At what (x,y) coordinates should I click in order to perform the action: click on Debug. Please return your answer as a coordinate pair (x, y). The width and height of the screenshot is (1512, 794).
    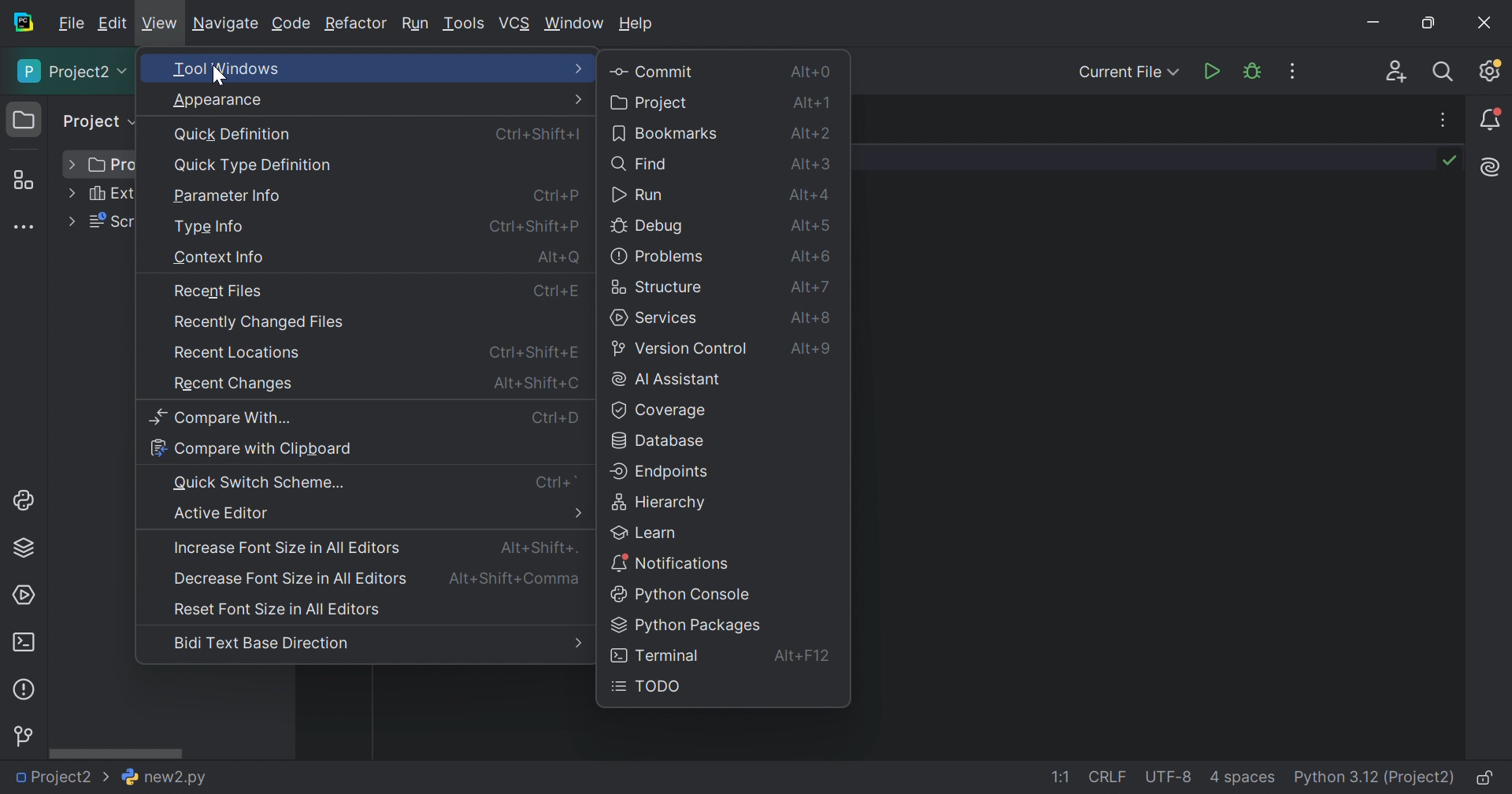
    Looking at the image, I should click on (647, 227).